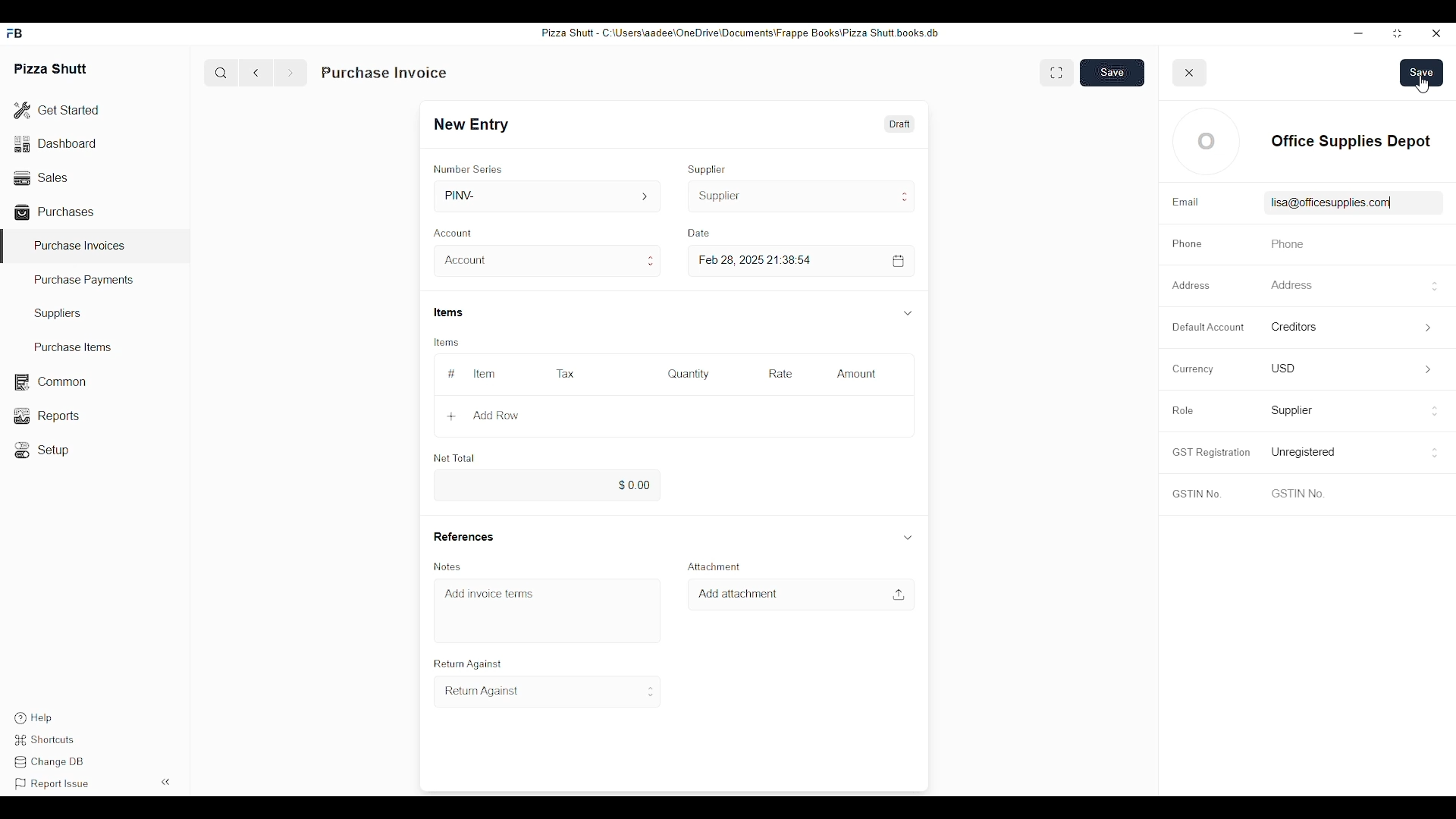 The height and width of the screenshot is (819, 1456). I want to click on Supplier, so click(708, 169).